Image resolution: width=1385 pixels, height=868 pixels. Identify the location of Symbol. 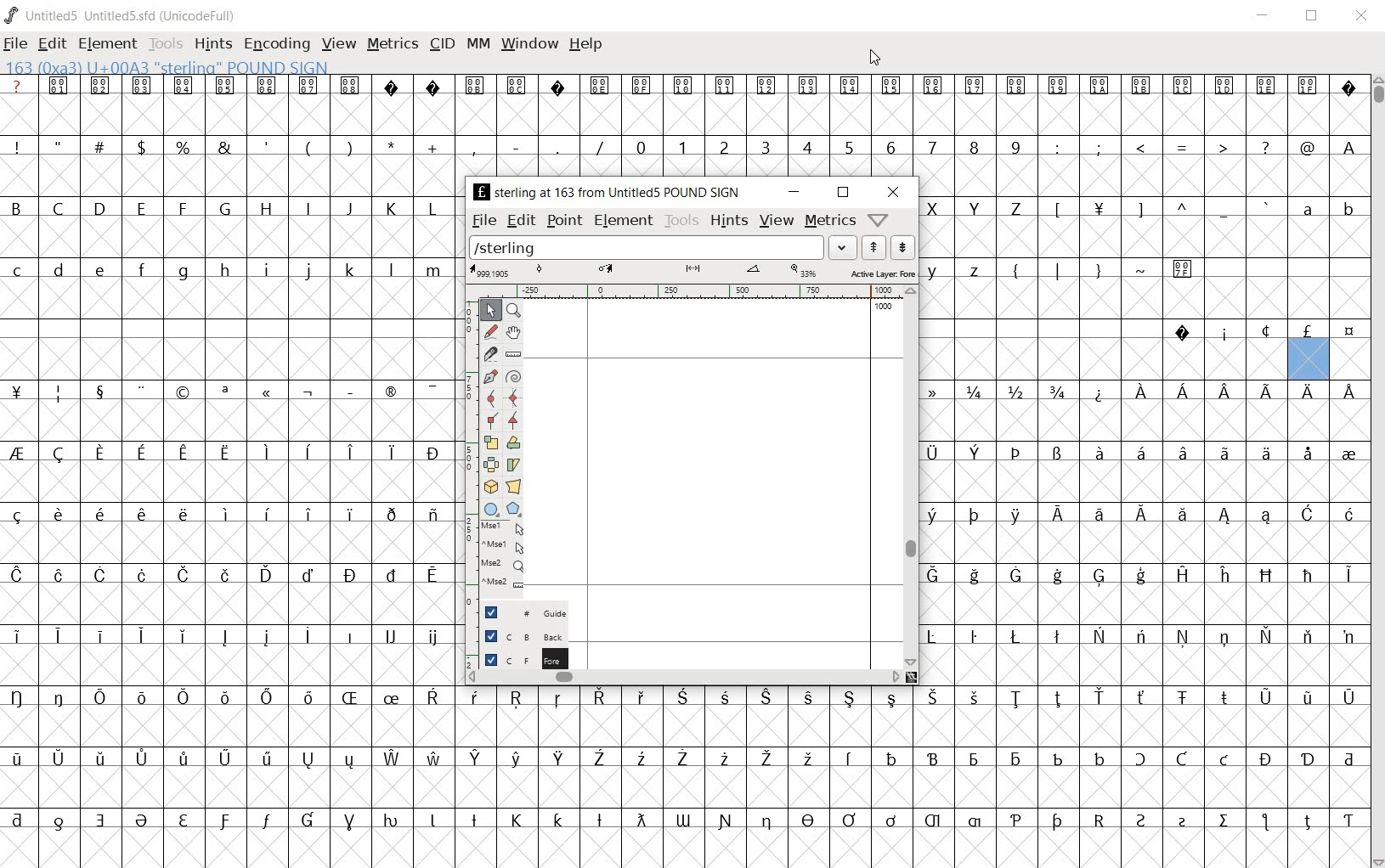
(308, 513).